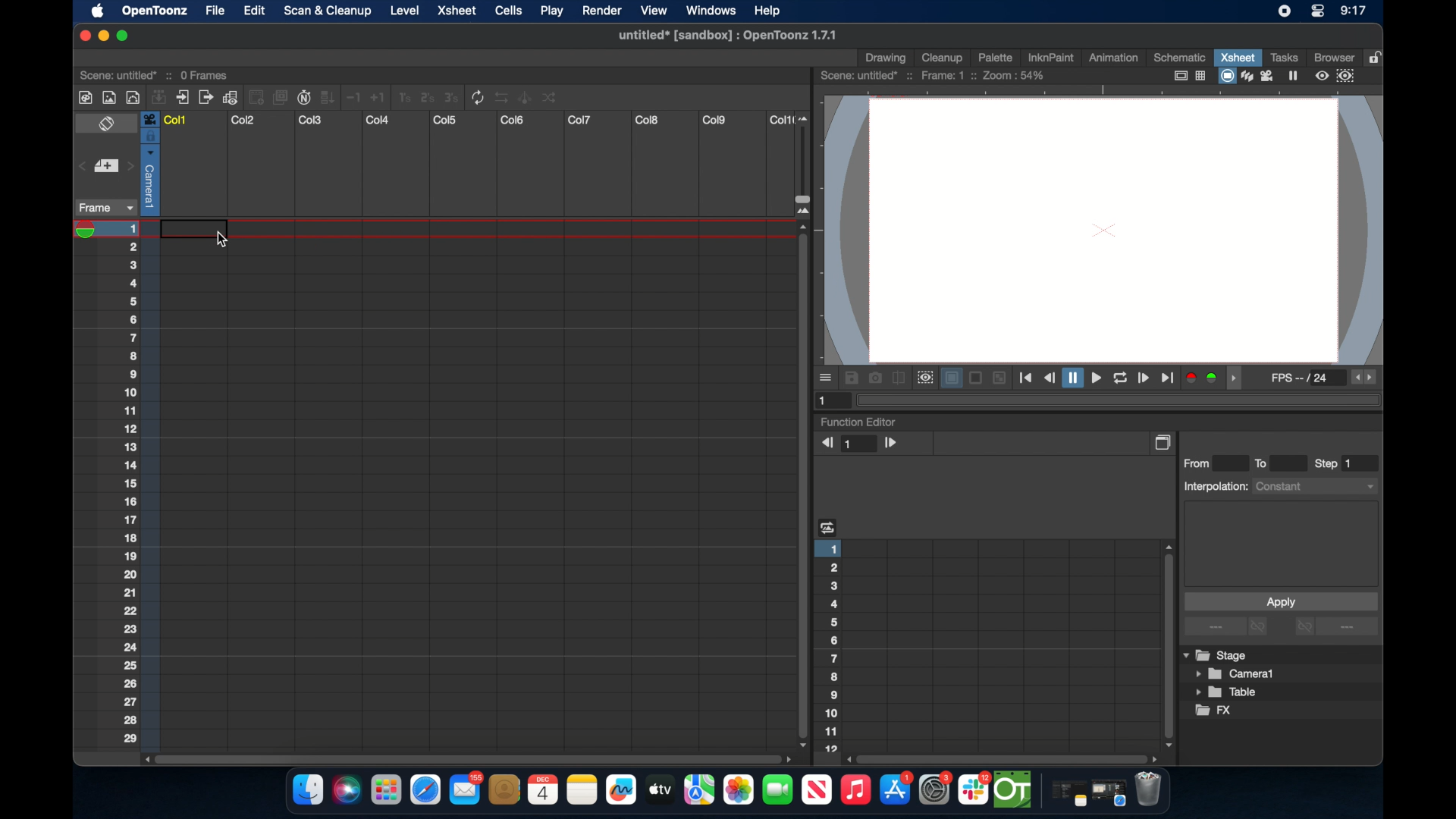  What do you see at coordinates (651, 11) in the screenshot?
I see `view` at bounding box center [651, 11].